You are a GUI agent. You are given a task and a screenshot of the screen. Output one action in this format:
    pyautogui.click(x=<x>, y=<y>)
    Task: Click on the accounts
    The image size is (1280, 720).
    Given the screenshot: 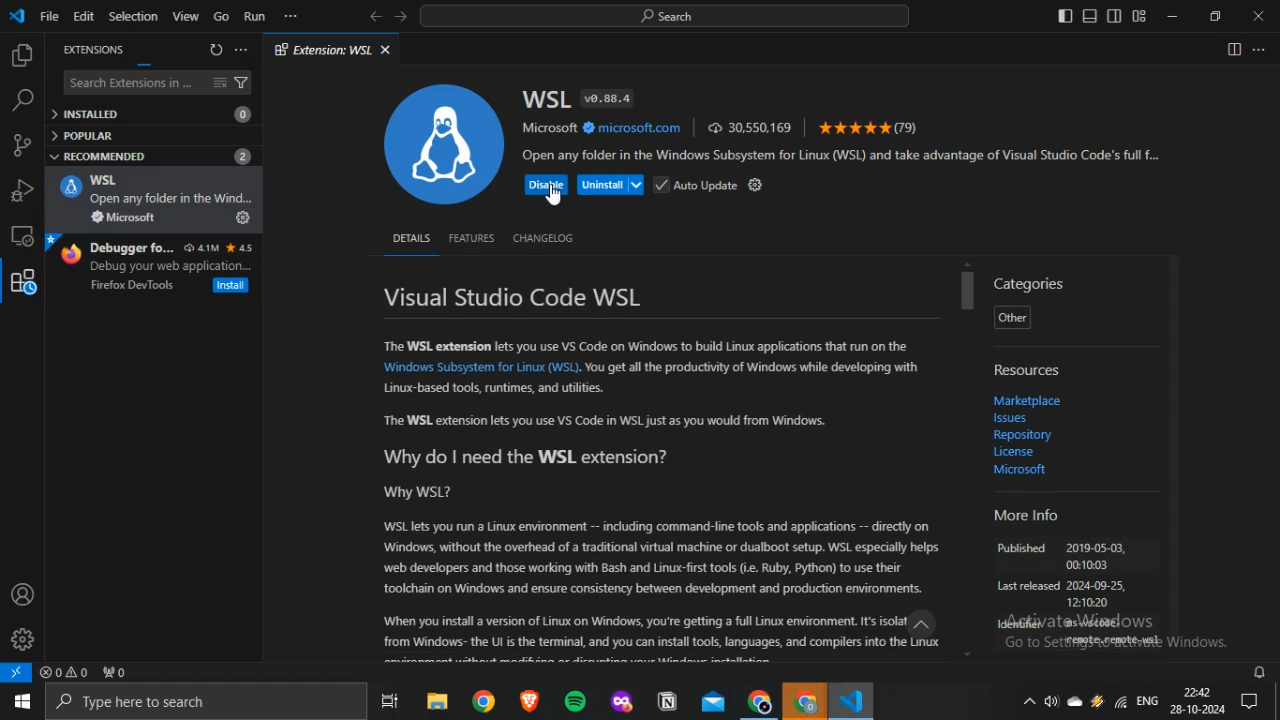 What is the action you would take?
    pyautogui.click(x=23, y=594)
    